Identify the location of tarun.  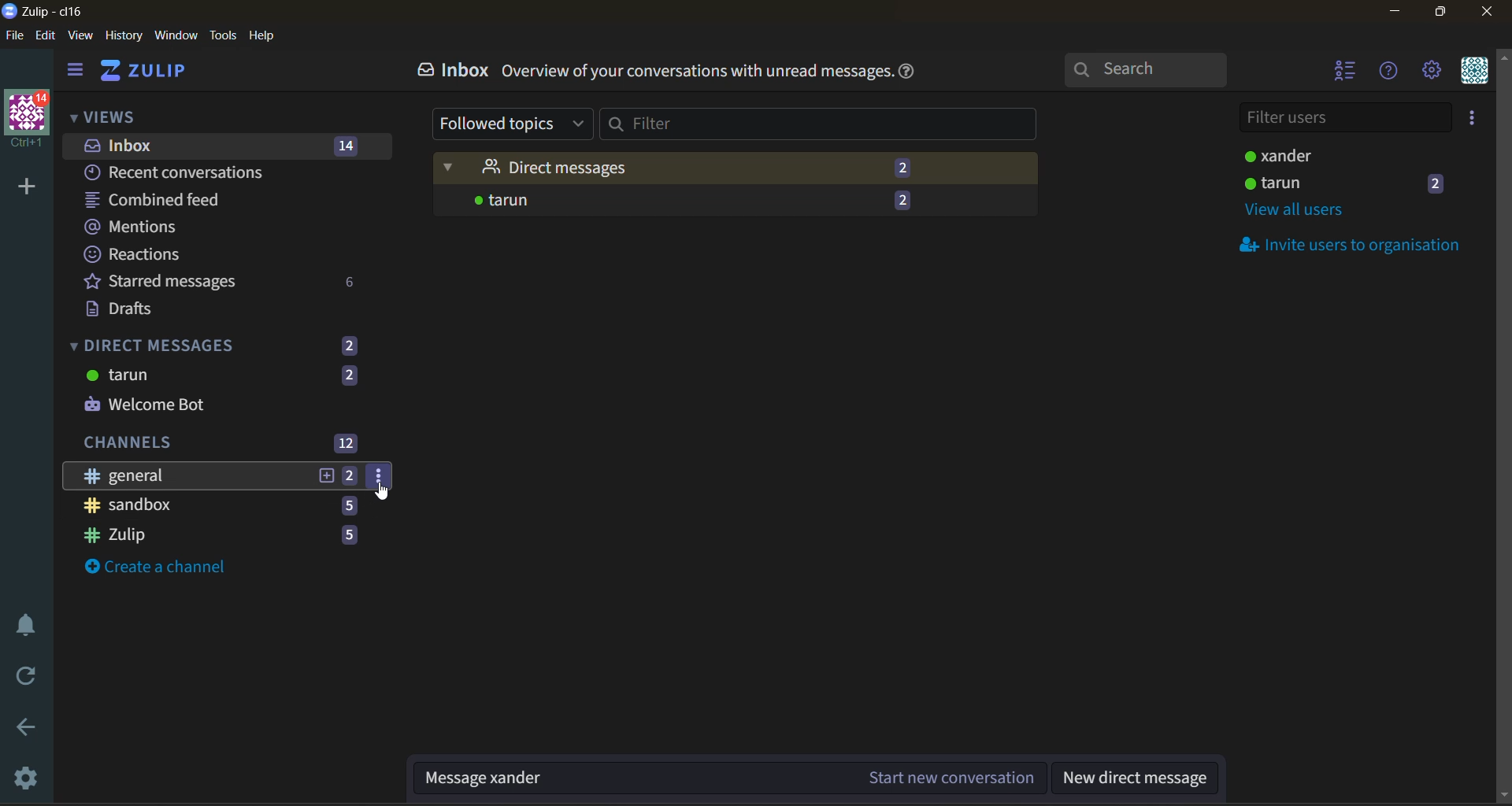
(223, 377).